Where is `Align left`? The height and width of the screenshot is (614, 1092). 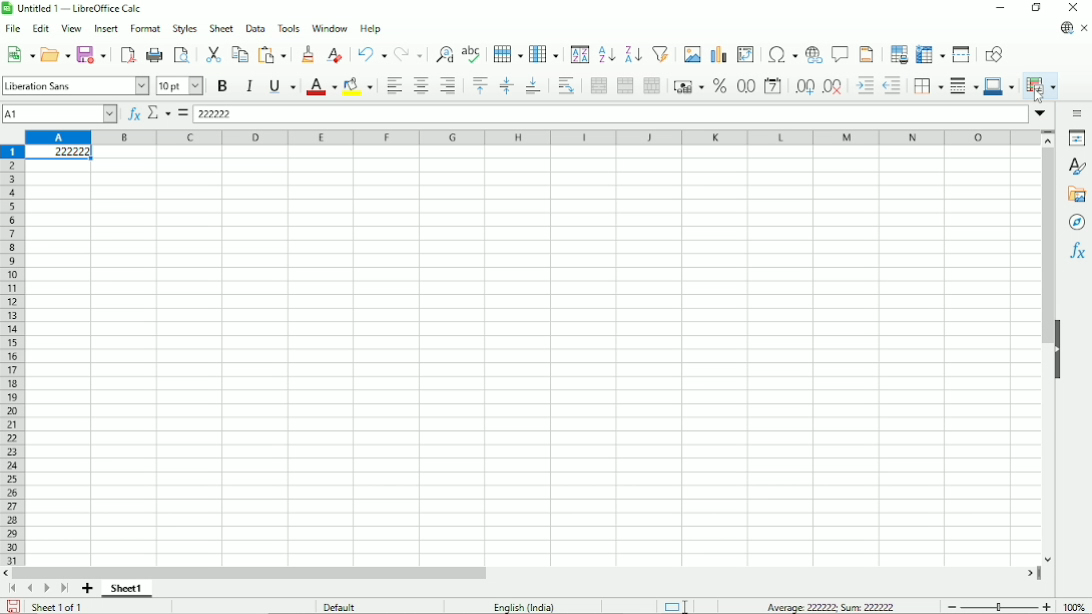
Align left is located at coordinates (393, 86).